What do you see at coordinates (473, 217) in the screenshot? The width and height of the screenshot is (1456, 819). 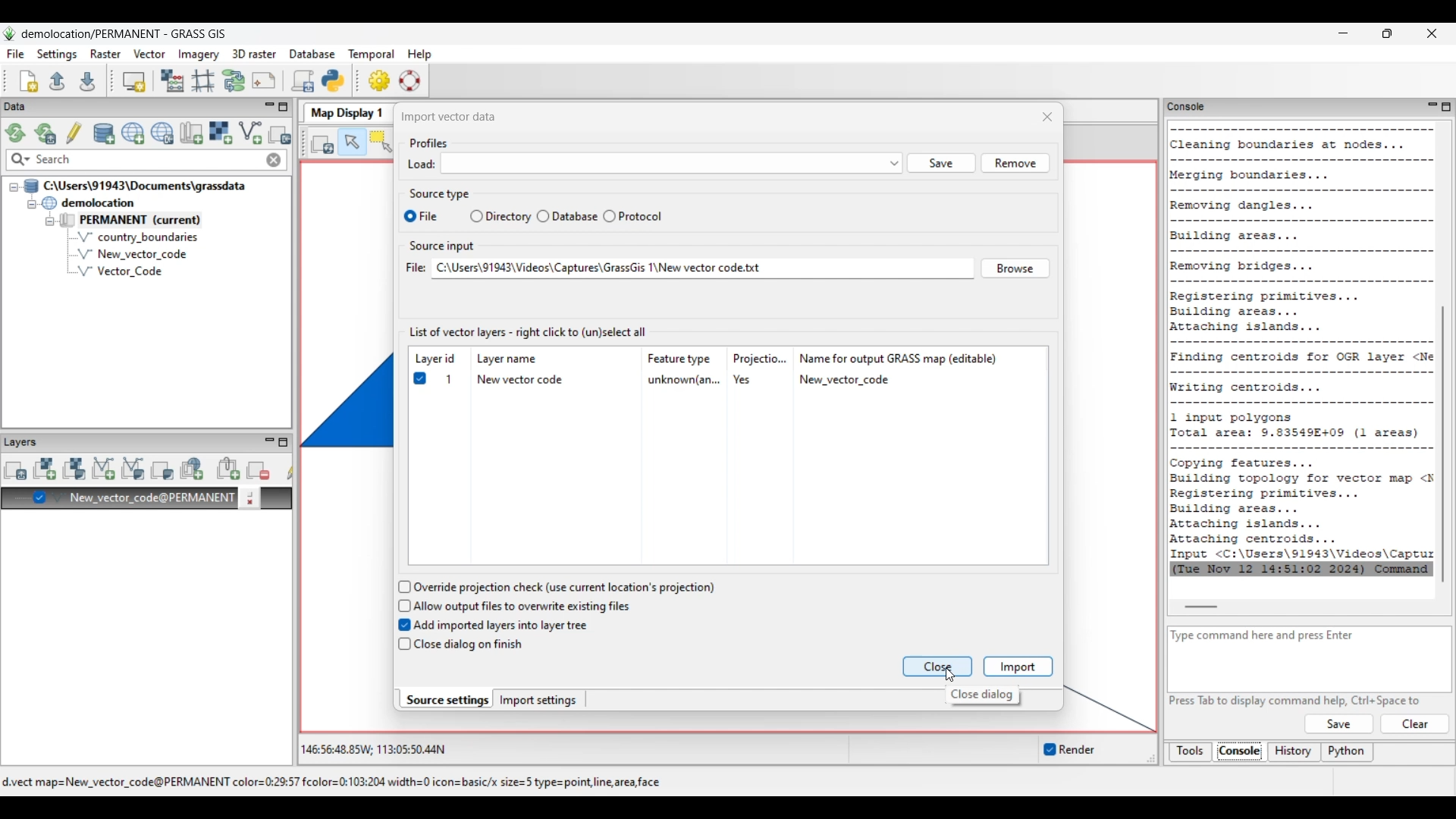 I see `select` at bounding box center [473, 217].